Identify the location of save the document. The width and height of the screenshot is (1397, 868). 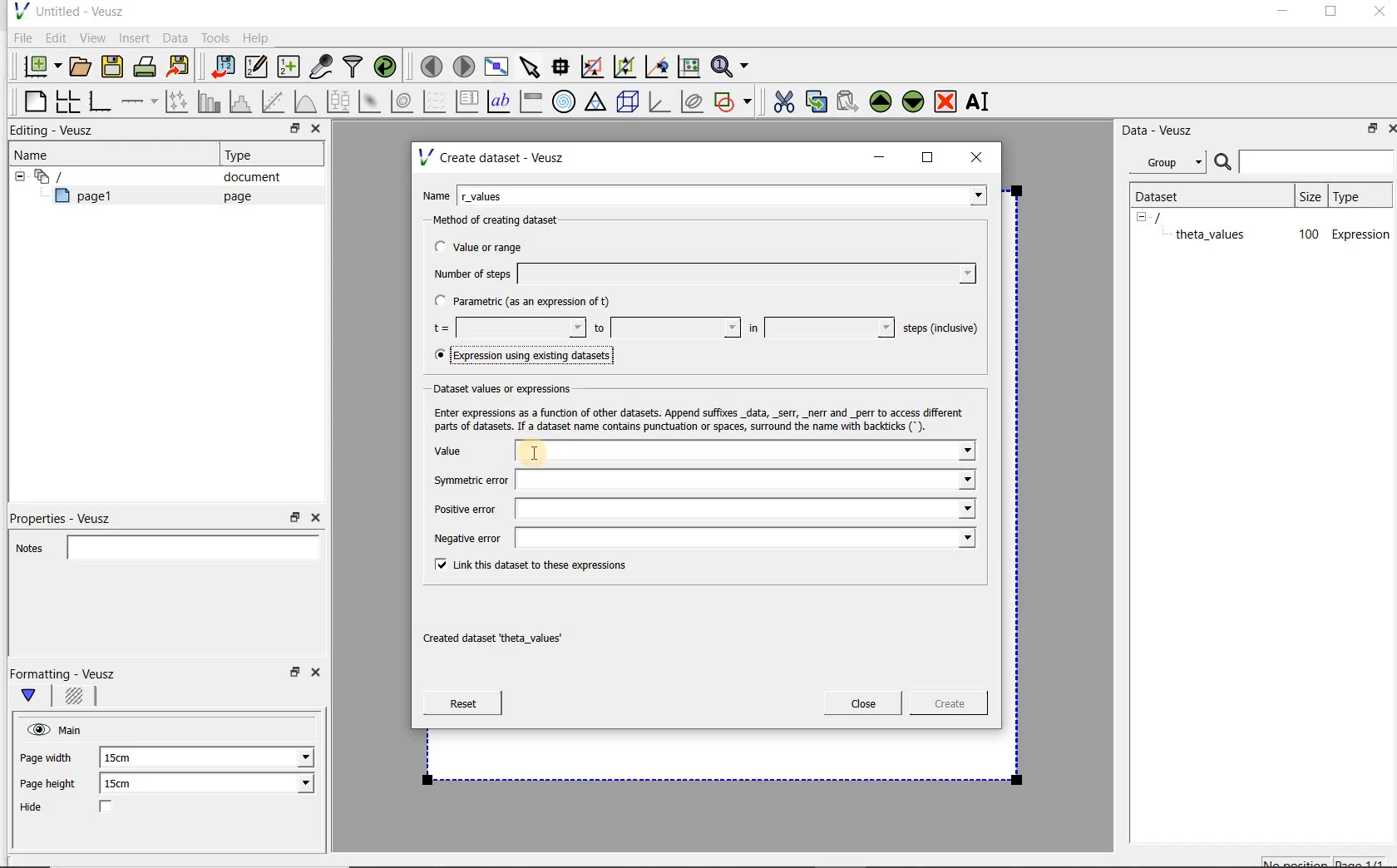
(116, 67).